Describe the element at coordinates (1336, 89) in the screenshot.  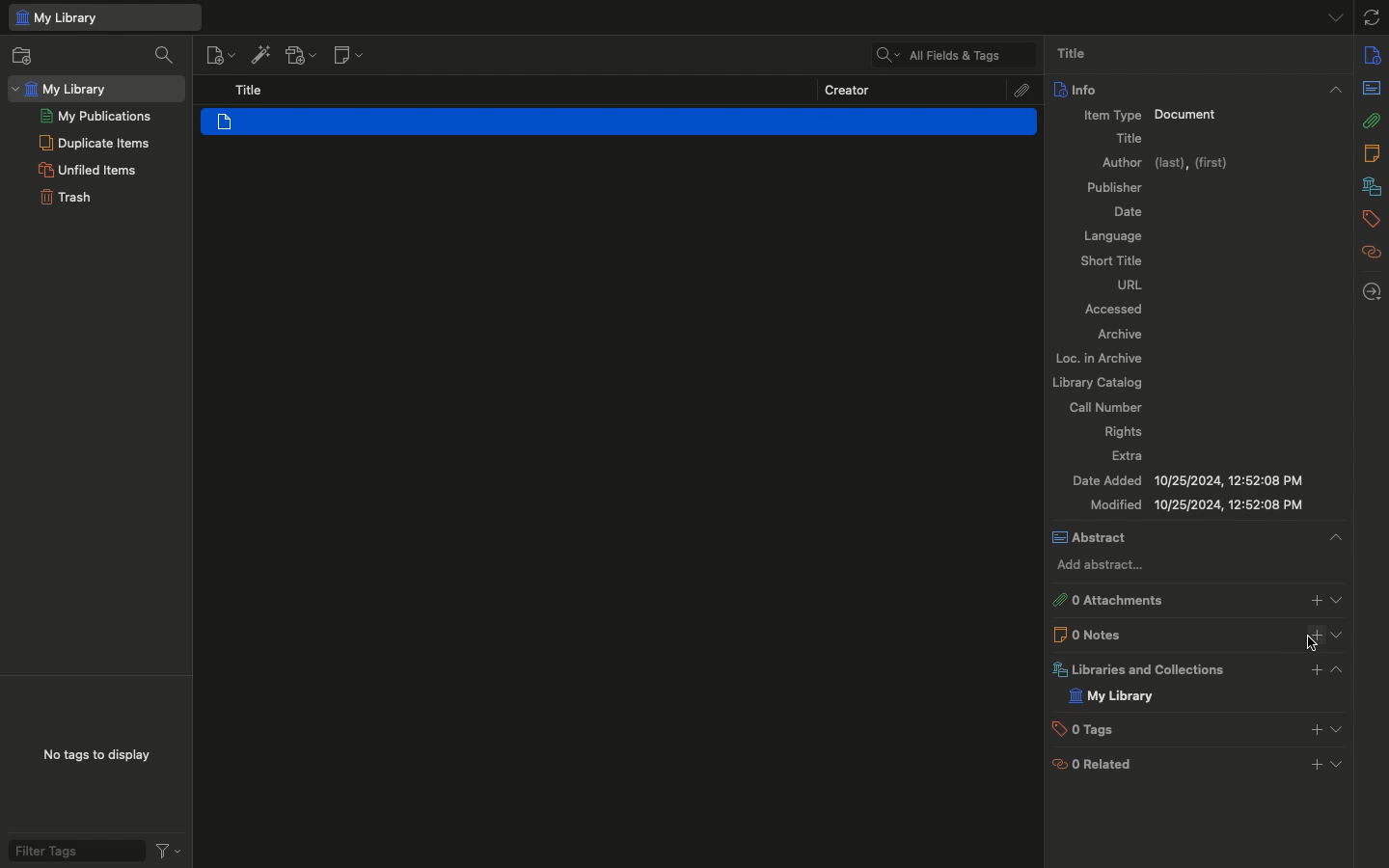
I see `Hide` at that location.